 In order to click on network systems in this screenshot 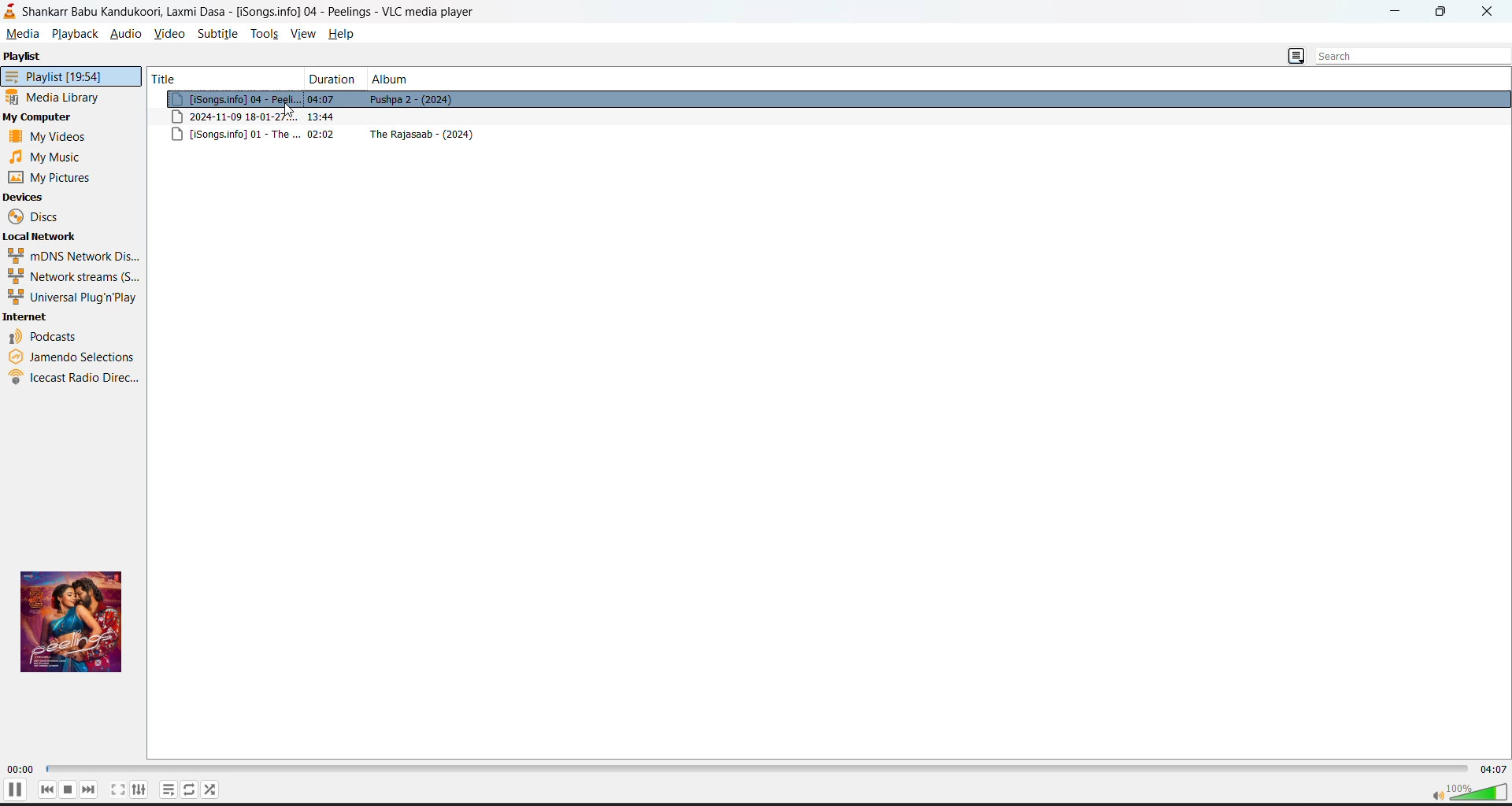, I will do `click(71, 275)`.